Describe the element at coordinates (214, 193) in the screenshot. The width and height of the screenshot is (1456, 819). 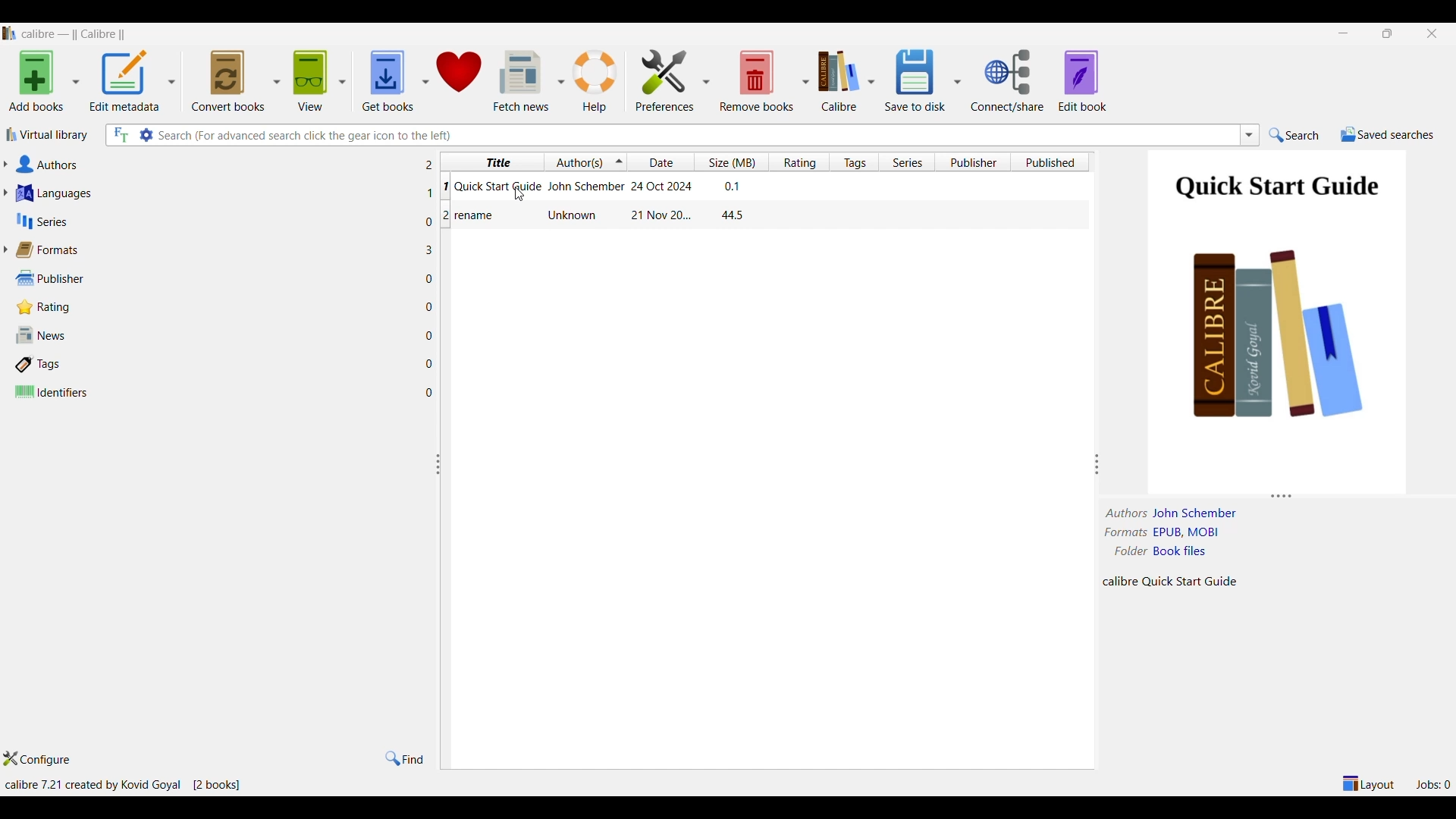
I see `Languages` at that location.